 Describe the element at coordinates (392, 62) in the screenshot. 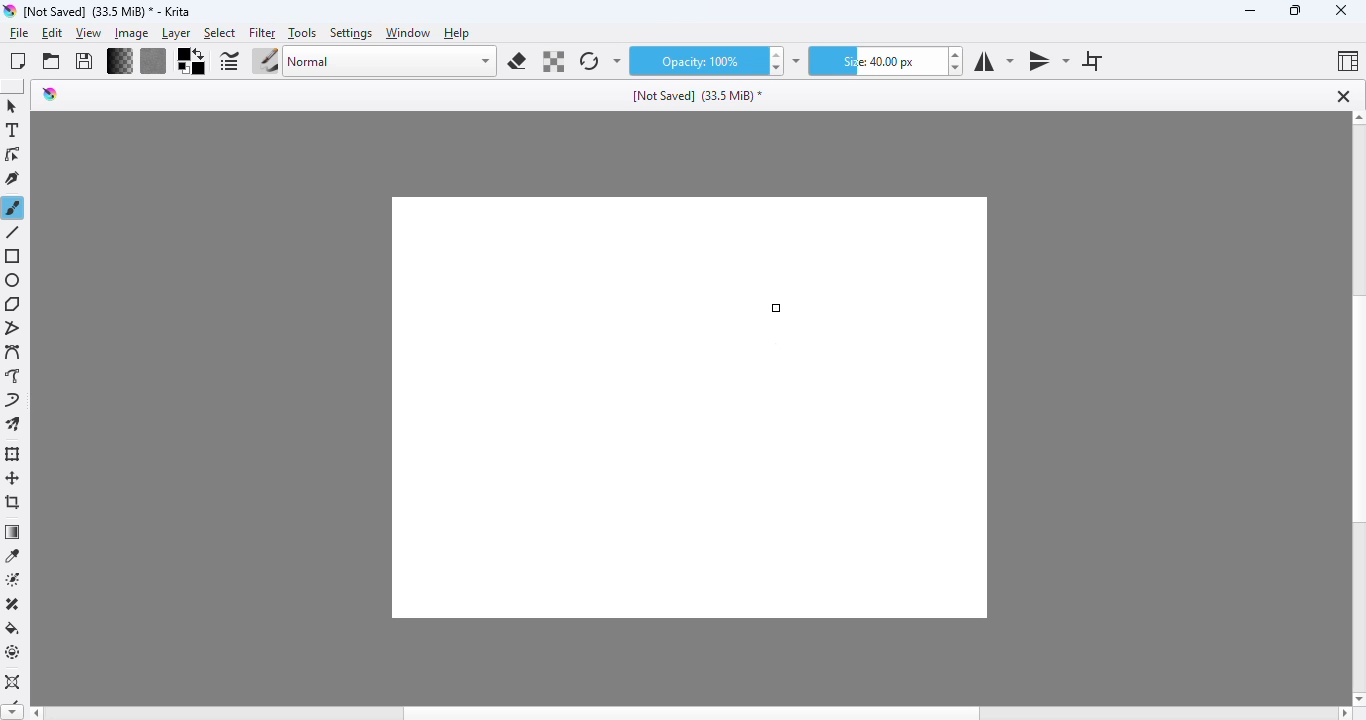

I see `blending mode` at that location.